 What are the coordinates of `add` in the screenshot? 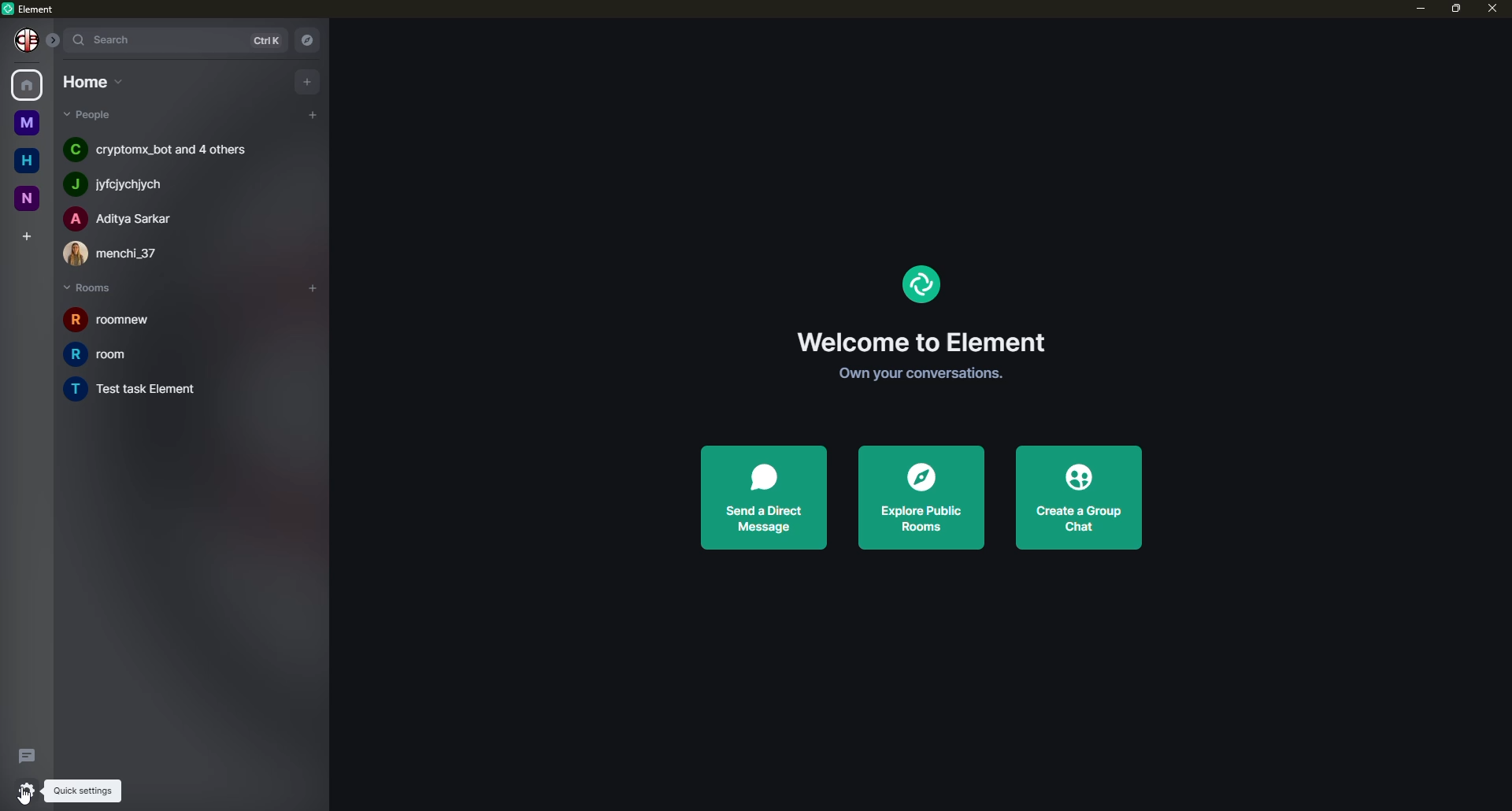 It's located at (308, 80).